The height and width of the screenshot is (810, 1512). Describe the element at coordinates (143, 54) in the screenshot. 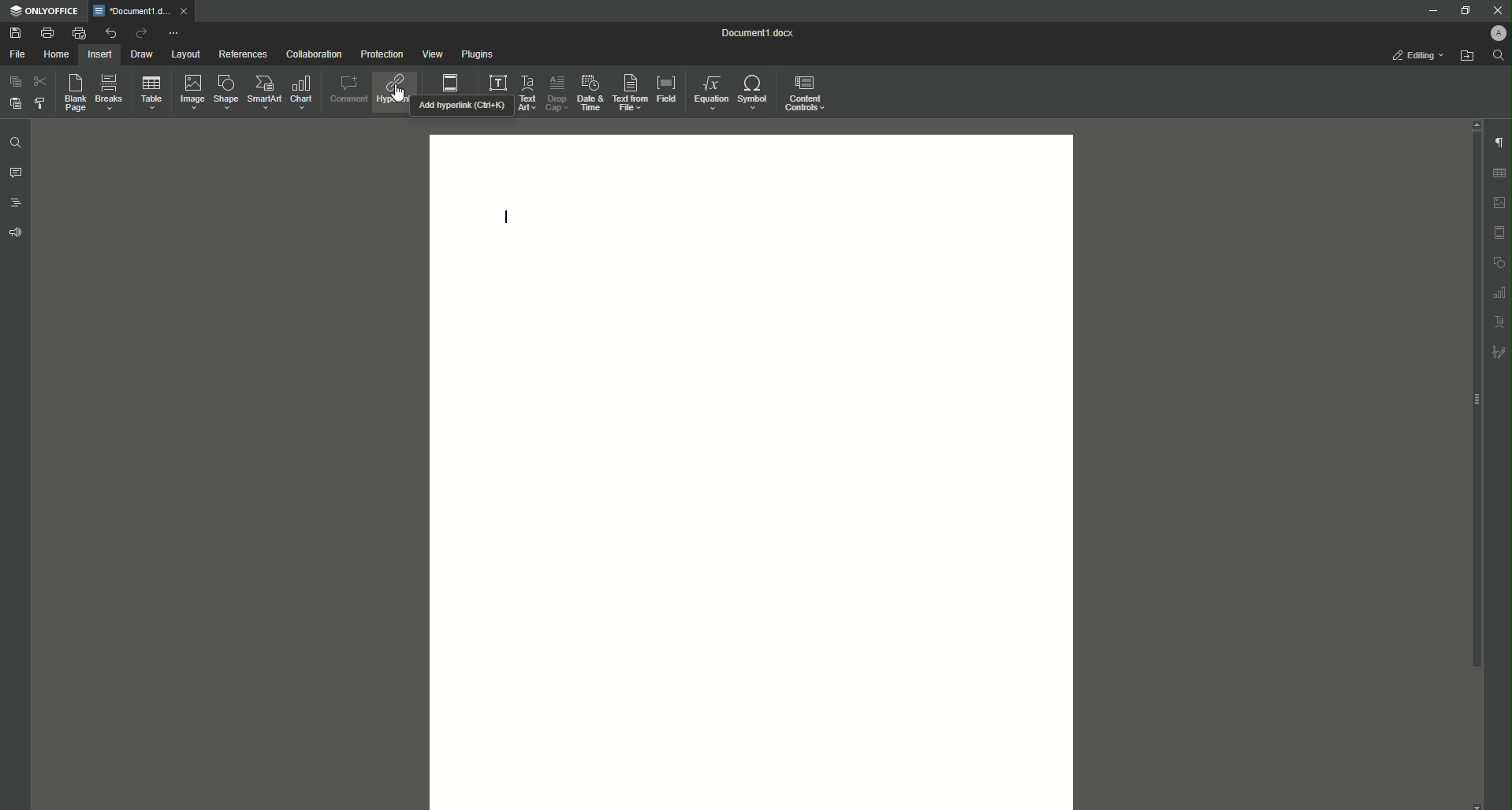

I see `Draw` at that location.